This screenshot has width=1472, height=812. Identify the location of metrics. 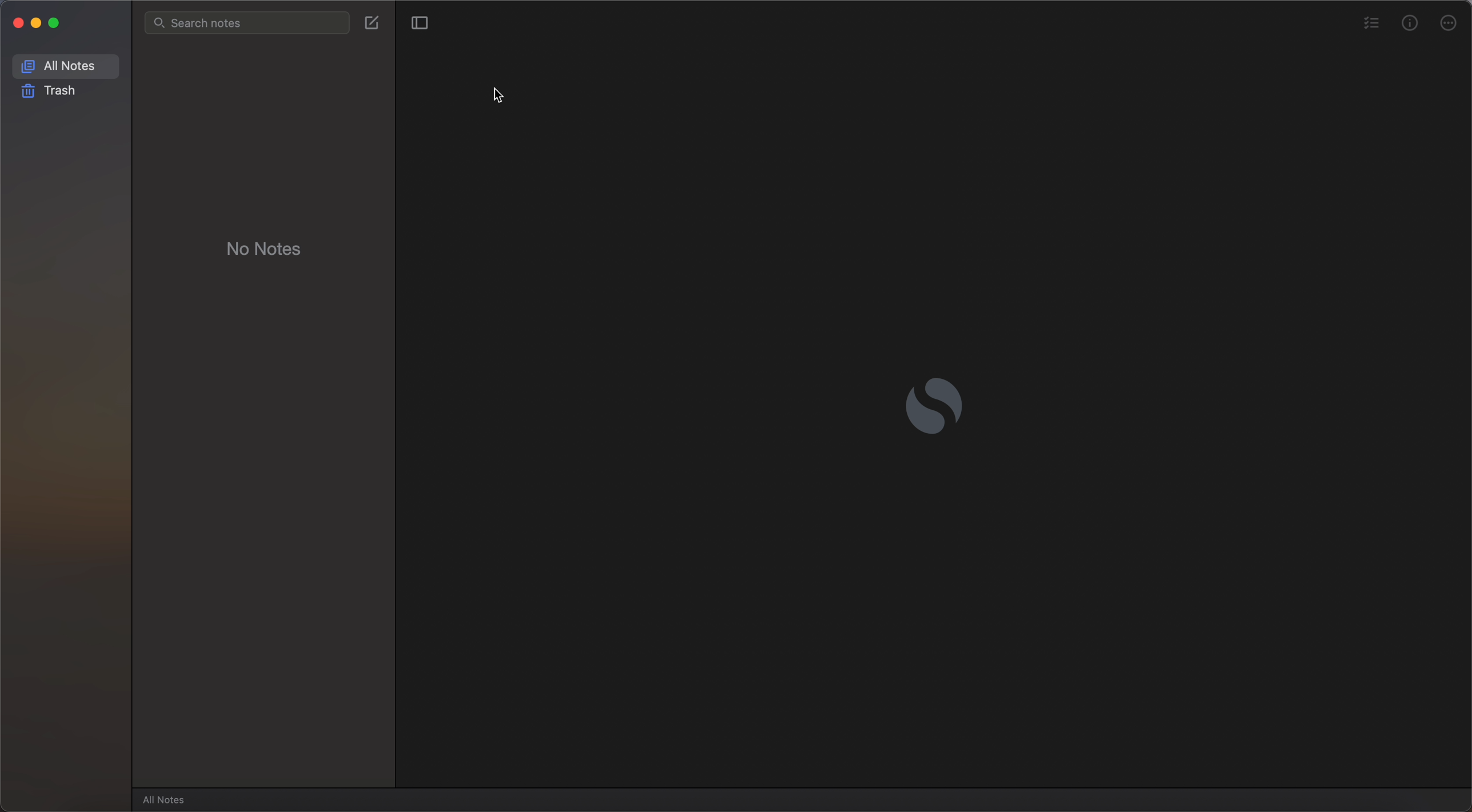
(1410, 22).